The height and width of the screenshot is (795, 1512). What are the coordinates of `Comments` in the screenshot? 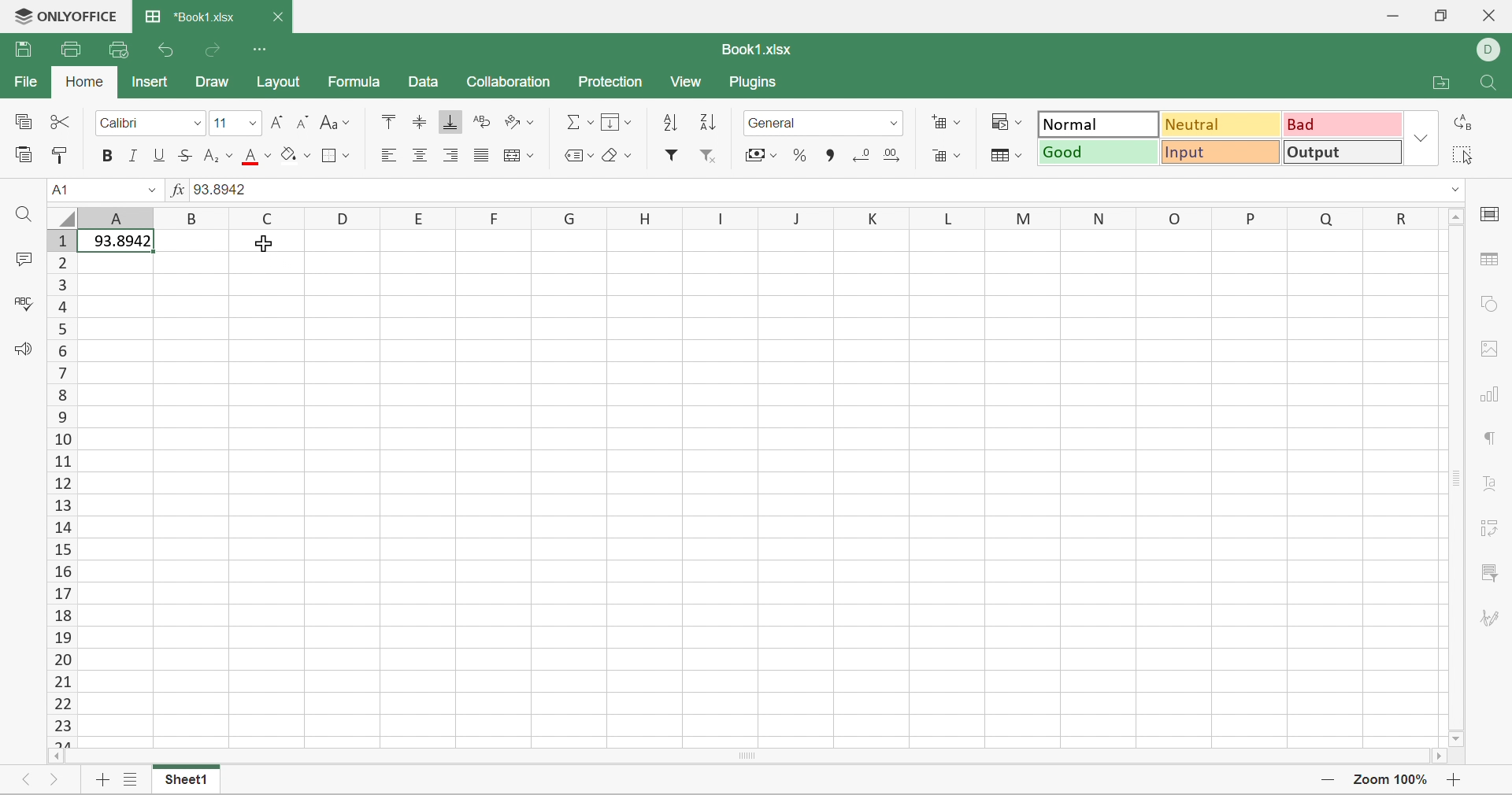 It's located at (22, 260).